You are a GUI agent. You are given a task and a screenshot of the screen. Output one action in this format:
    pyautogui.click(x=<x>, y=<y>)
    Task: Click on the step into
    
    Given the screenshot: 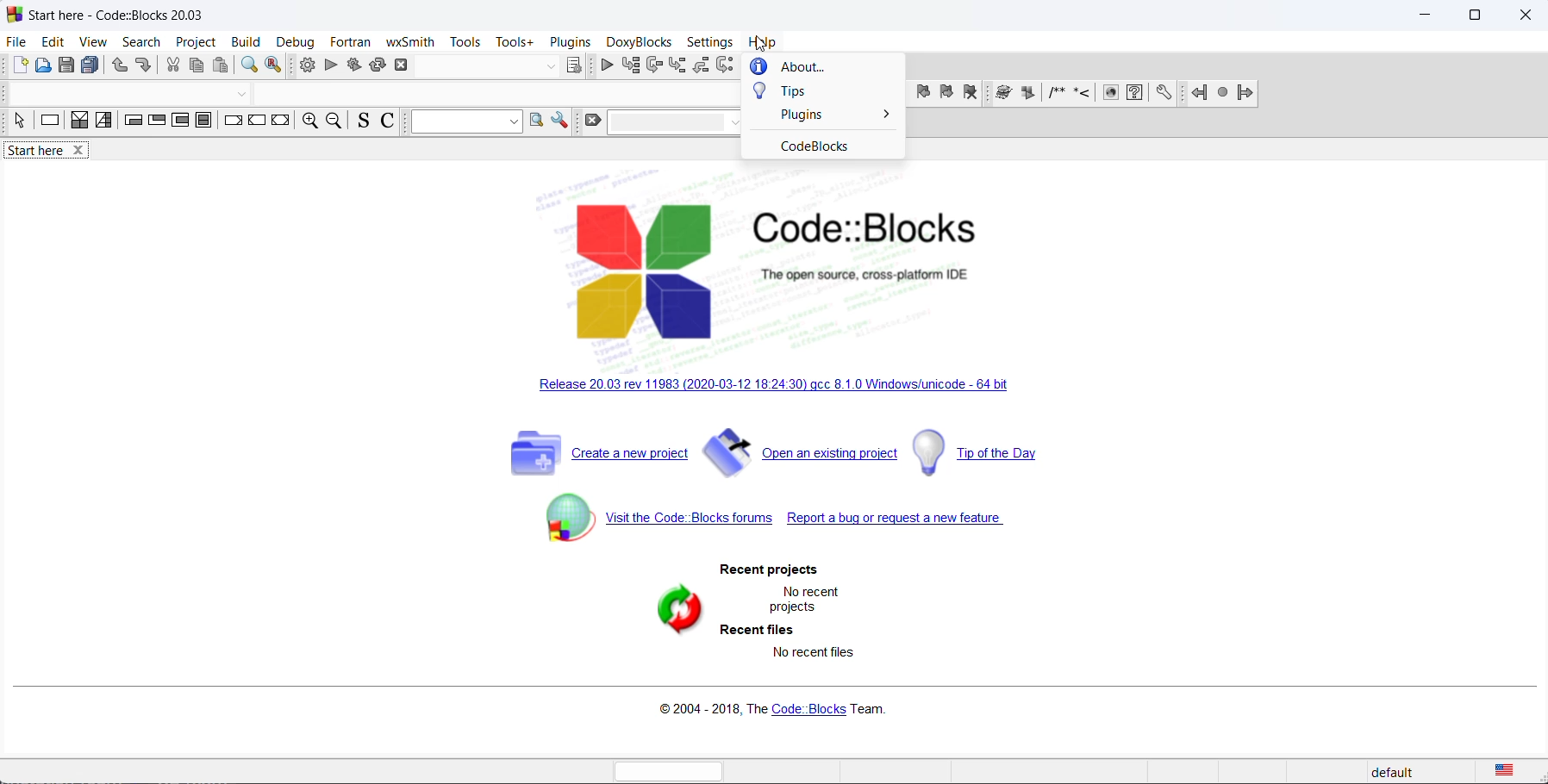 What is the action you would take?
    pyautogui.click(x=680, y=65)
    